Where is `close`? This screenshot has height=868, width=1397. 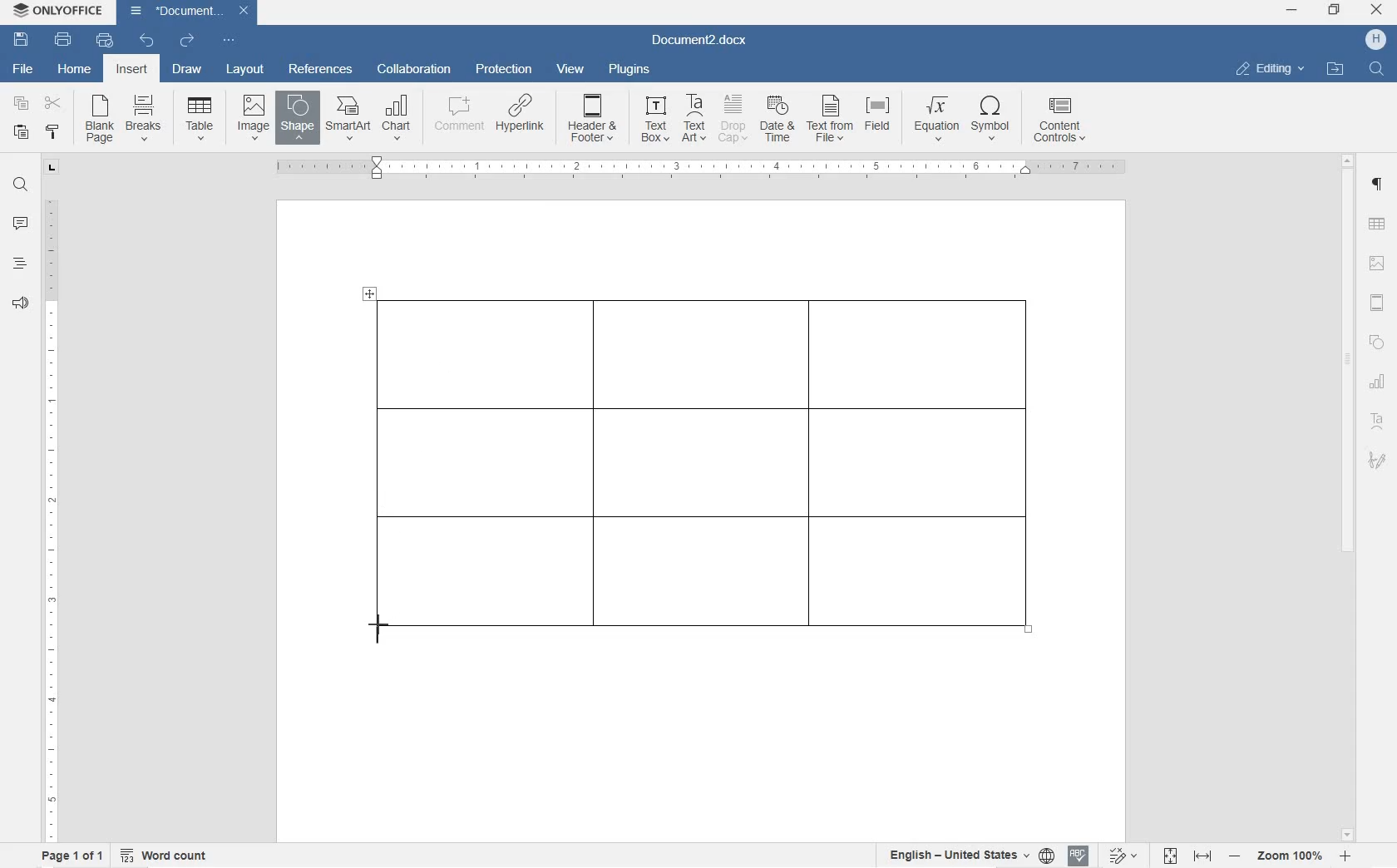
close is located at coordinates (1376, 11).